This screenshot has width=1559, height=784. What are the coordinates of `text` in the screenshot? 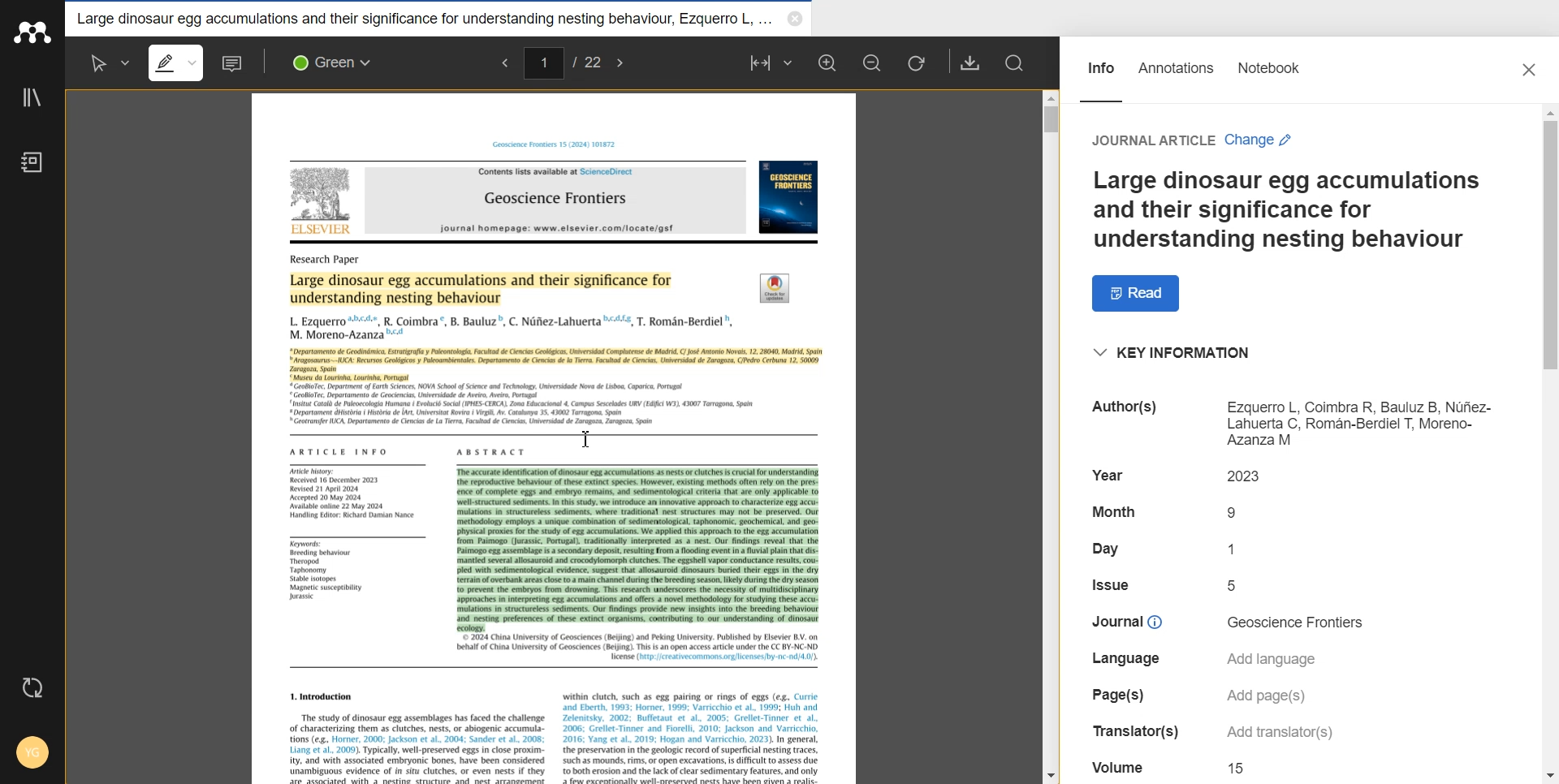 It's located at (1299, 622).